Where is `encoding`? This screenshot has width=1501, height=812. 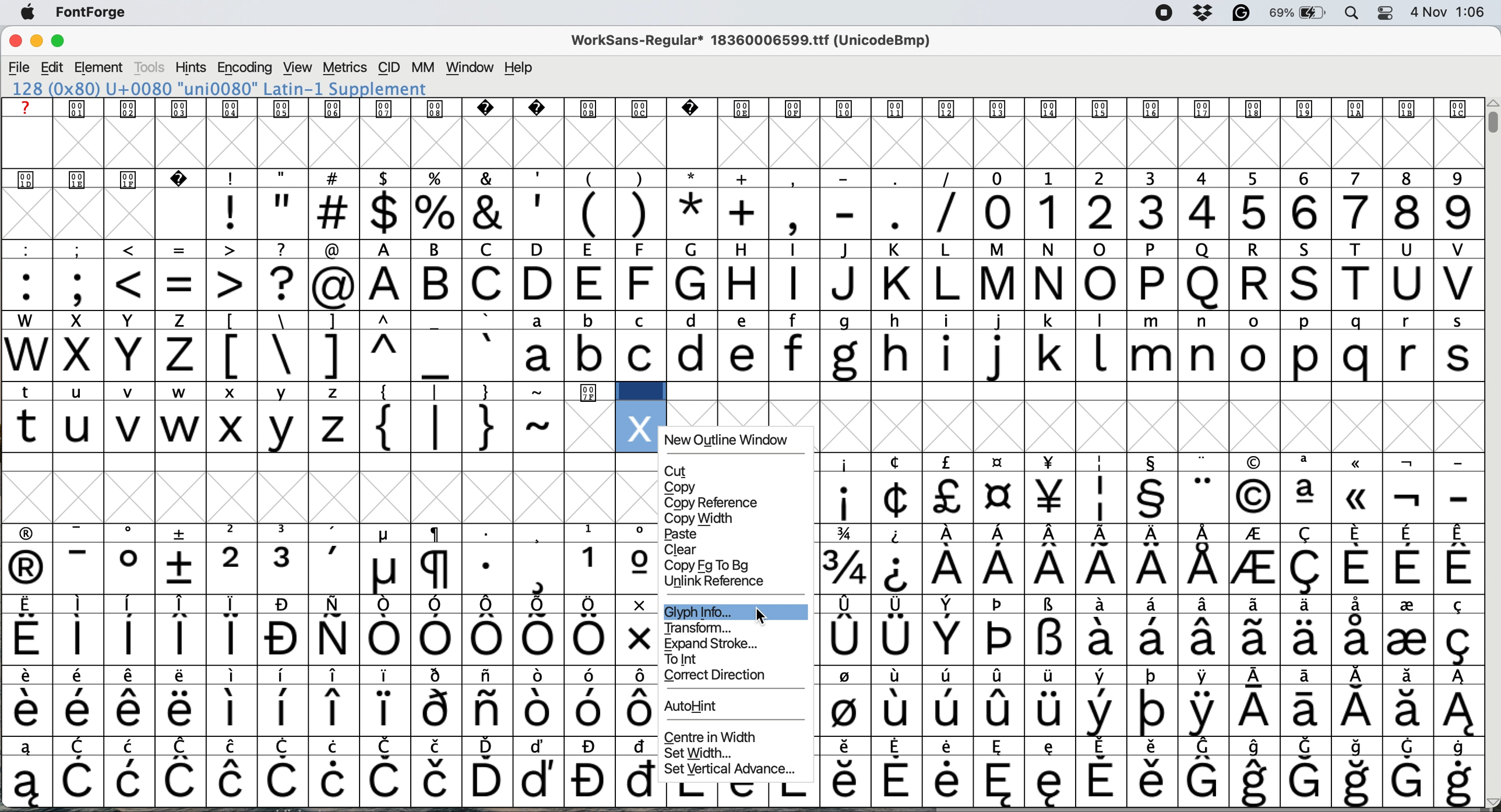 encoding is located at coordinates (244, 68).